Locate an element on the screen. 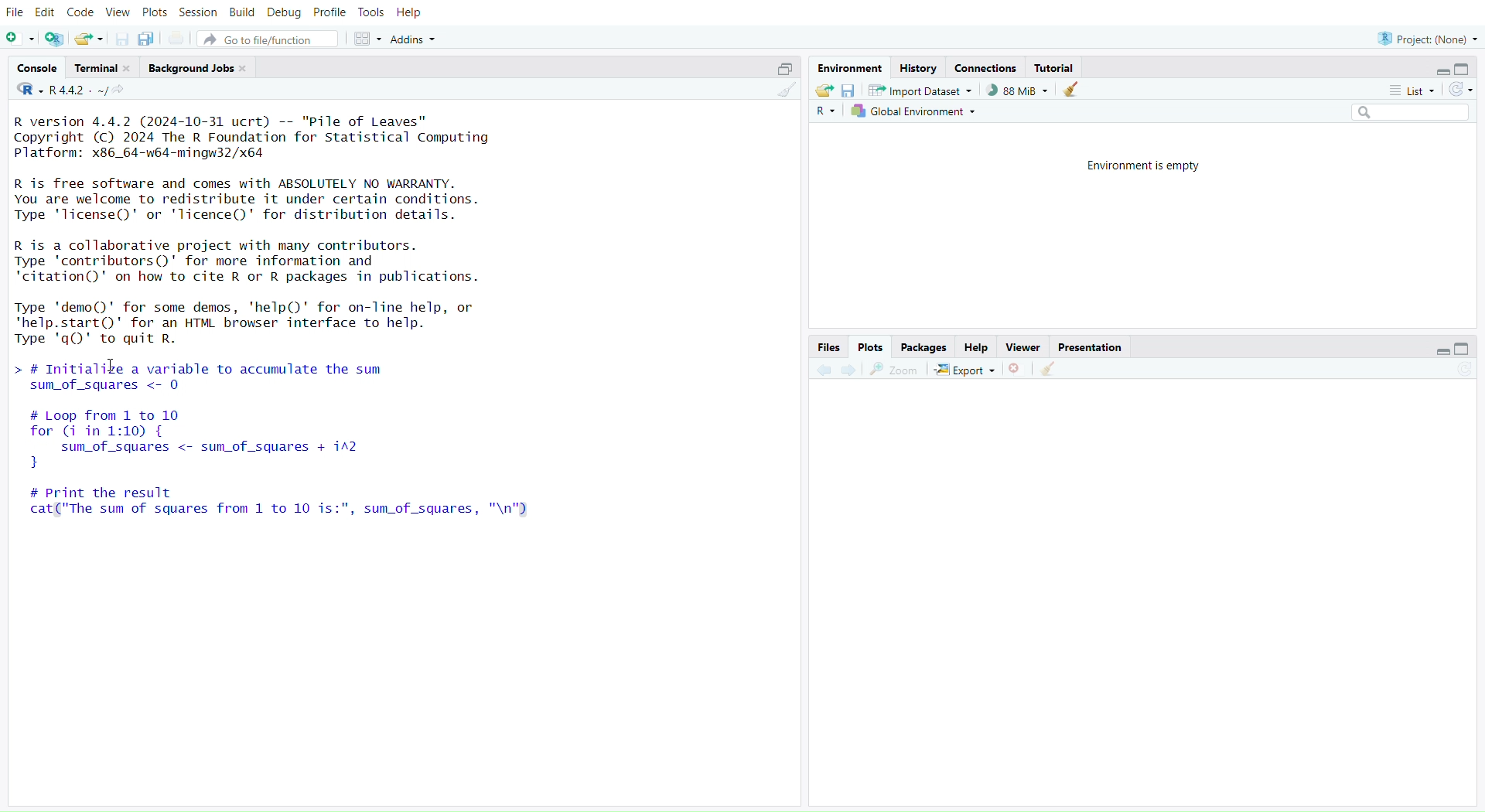  print current file is located at coordinates (180, 39).